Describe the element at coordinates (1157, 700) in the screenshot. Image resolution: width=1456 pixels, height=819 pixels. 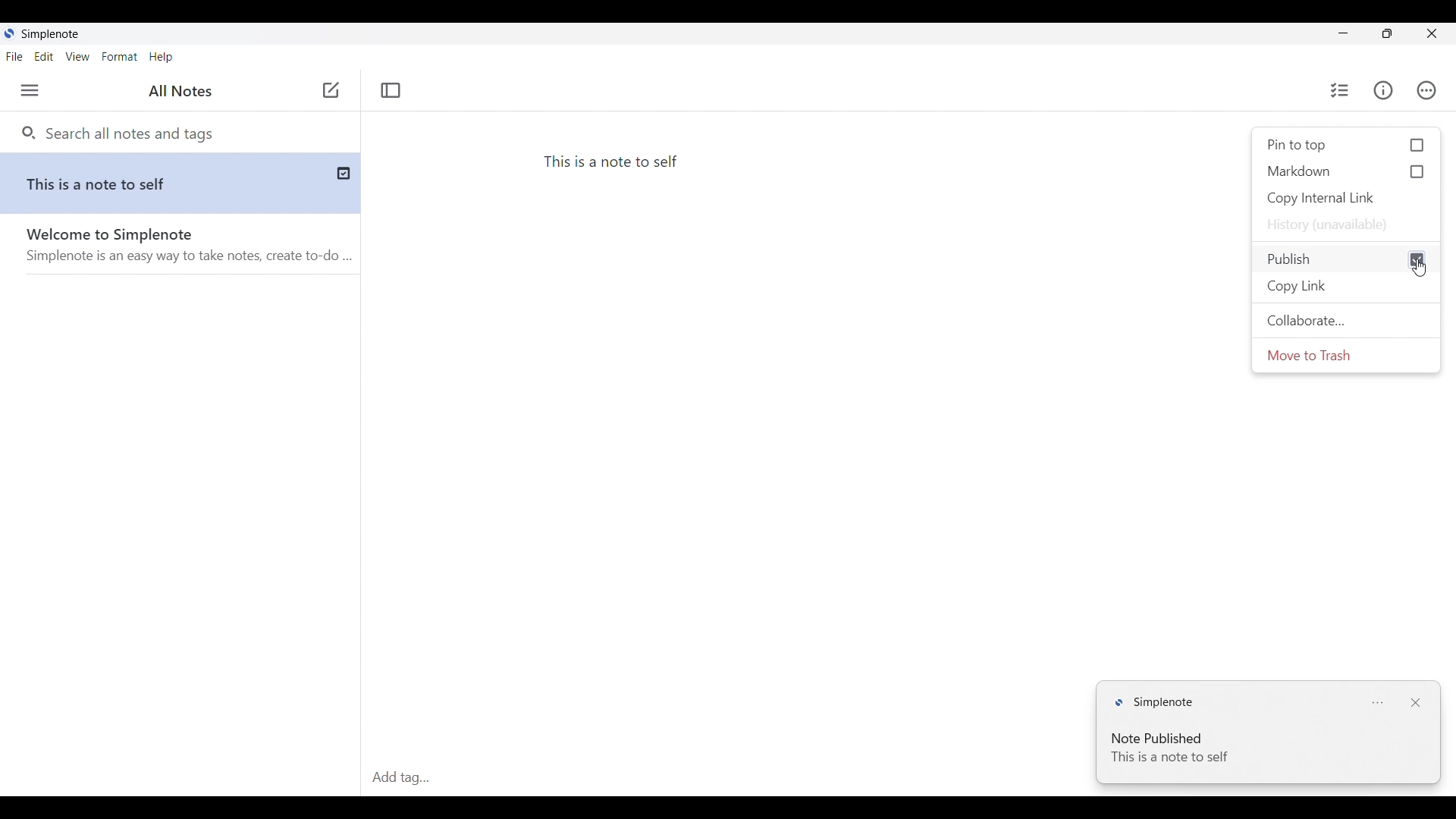
I see `Simplenote` at that location.